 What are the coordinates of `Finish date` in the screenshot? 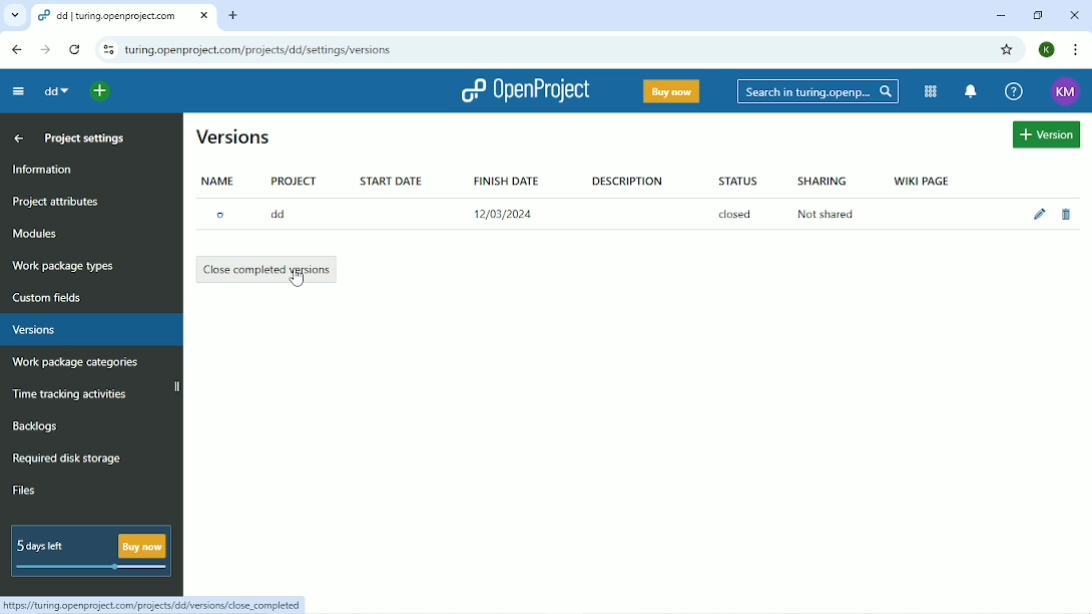 It's located at (504, 178).